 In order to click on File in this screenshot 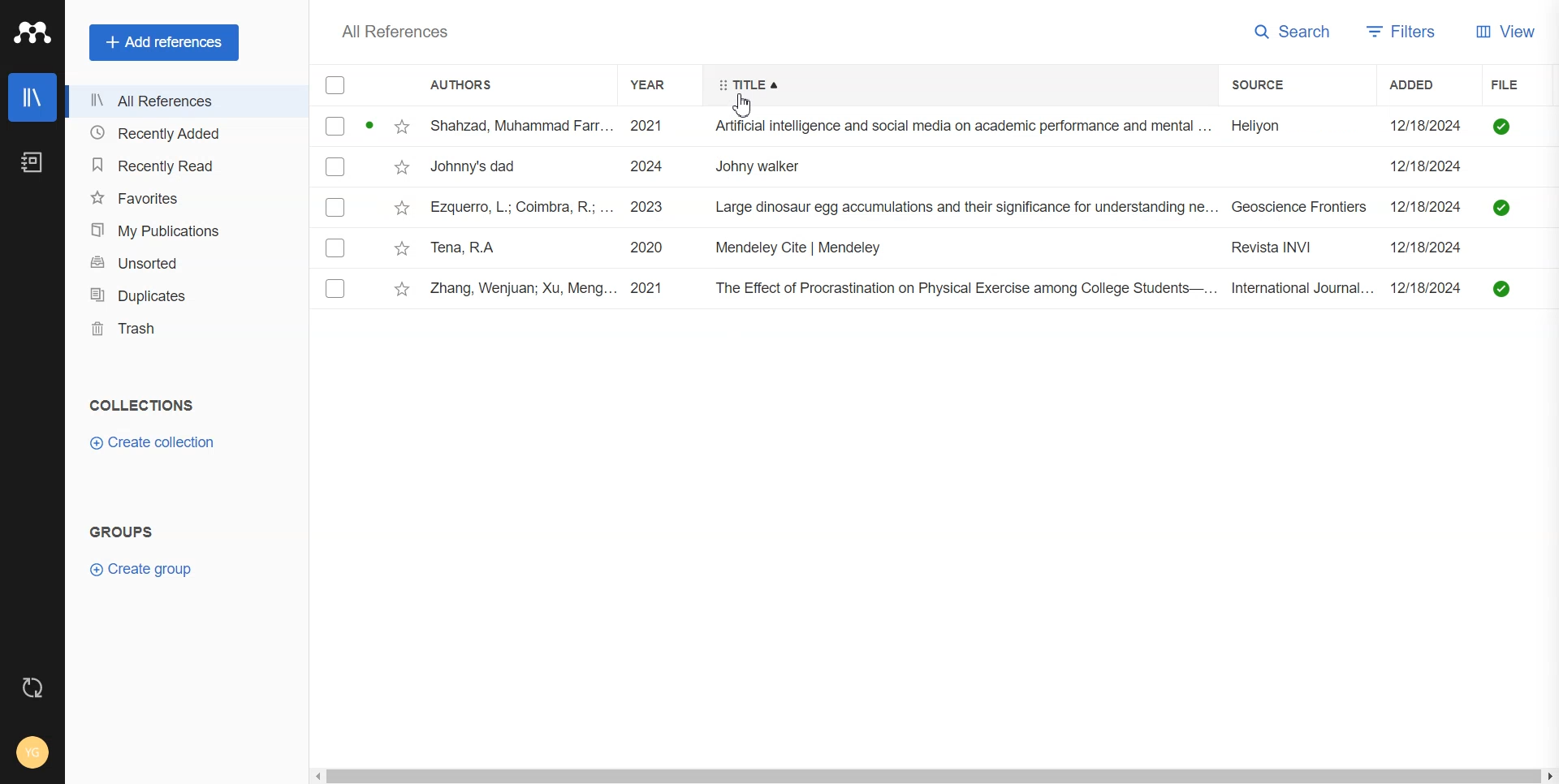, I will do `click(993, 127)`.